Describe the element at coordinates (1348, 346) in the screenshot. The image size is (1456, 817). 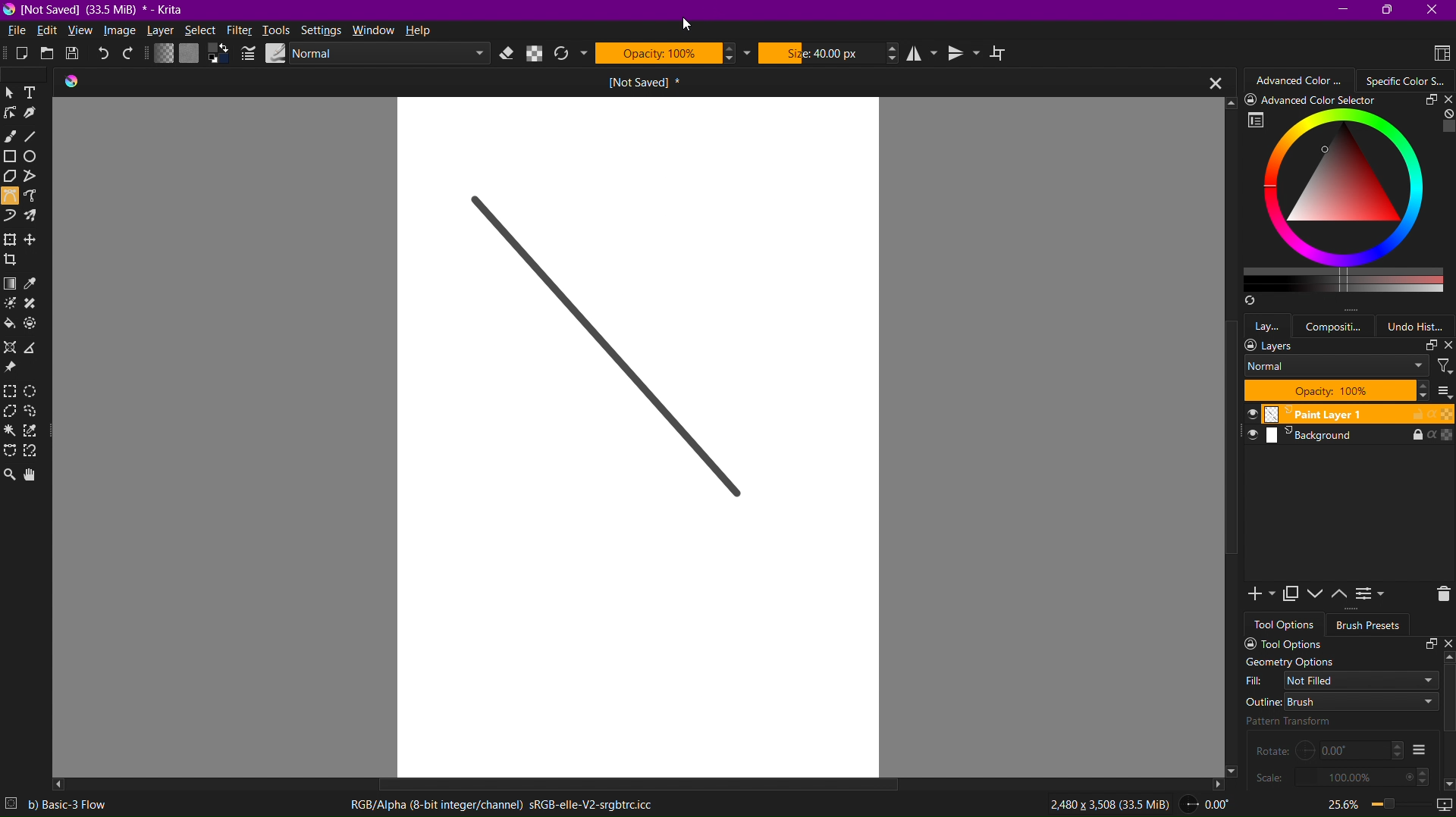
I see `Layers` at that location.